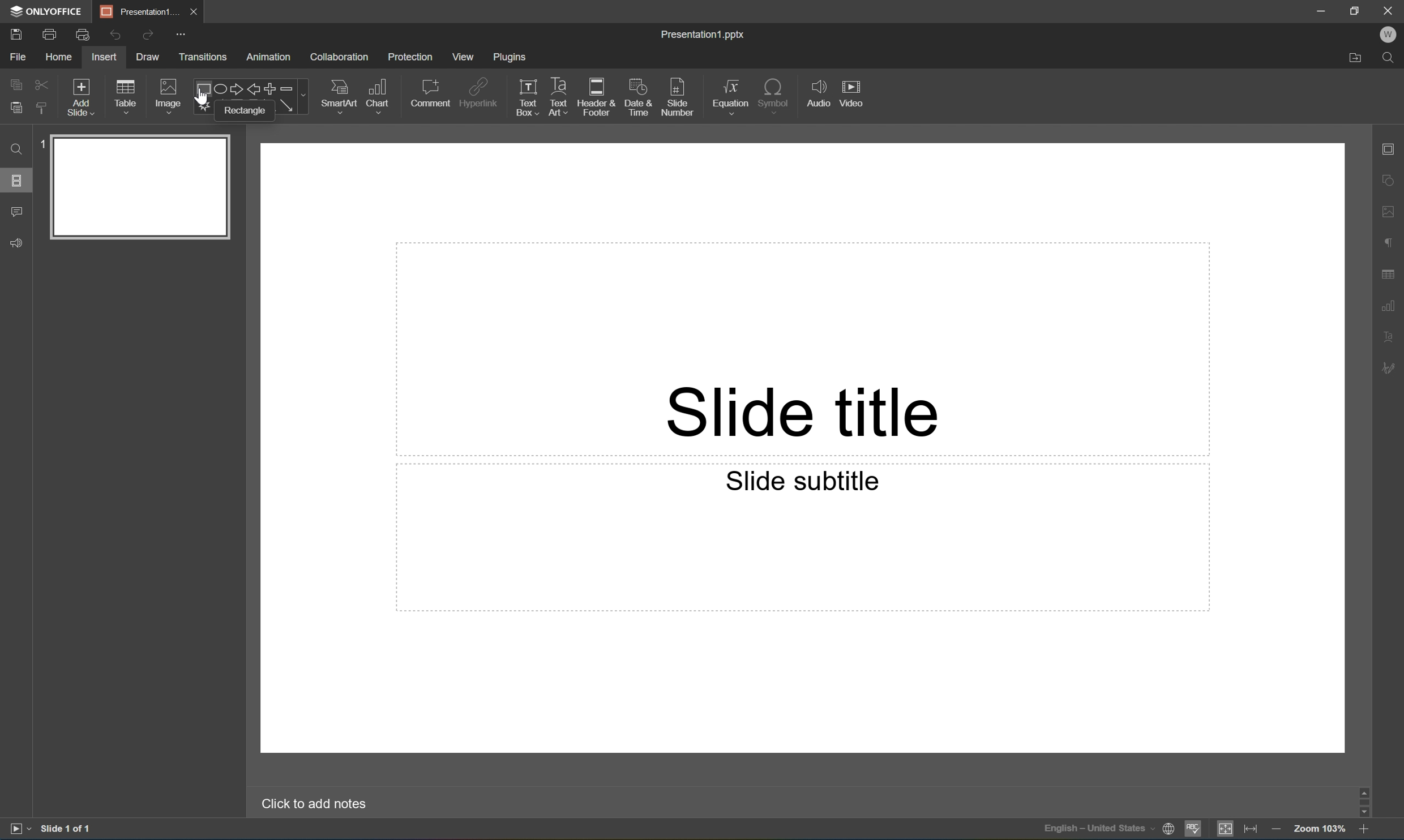 This screenshot has width=1404, height=840. What do you see at coordinates (318, 804) in the screenshot?
I see `Click to add notes` at bounding box center [318, 804].